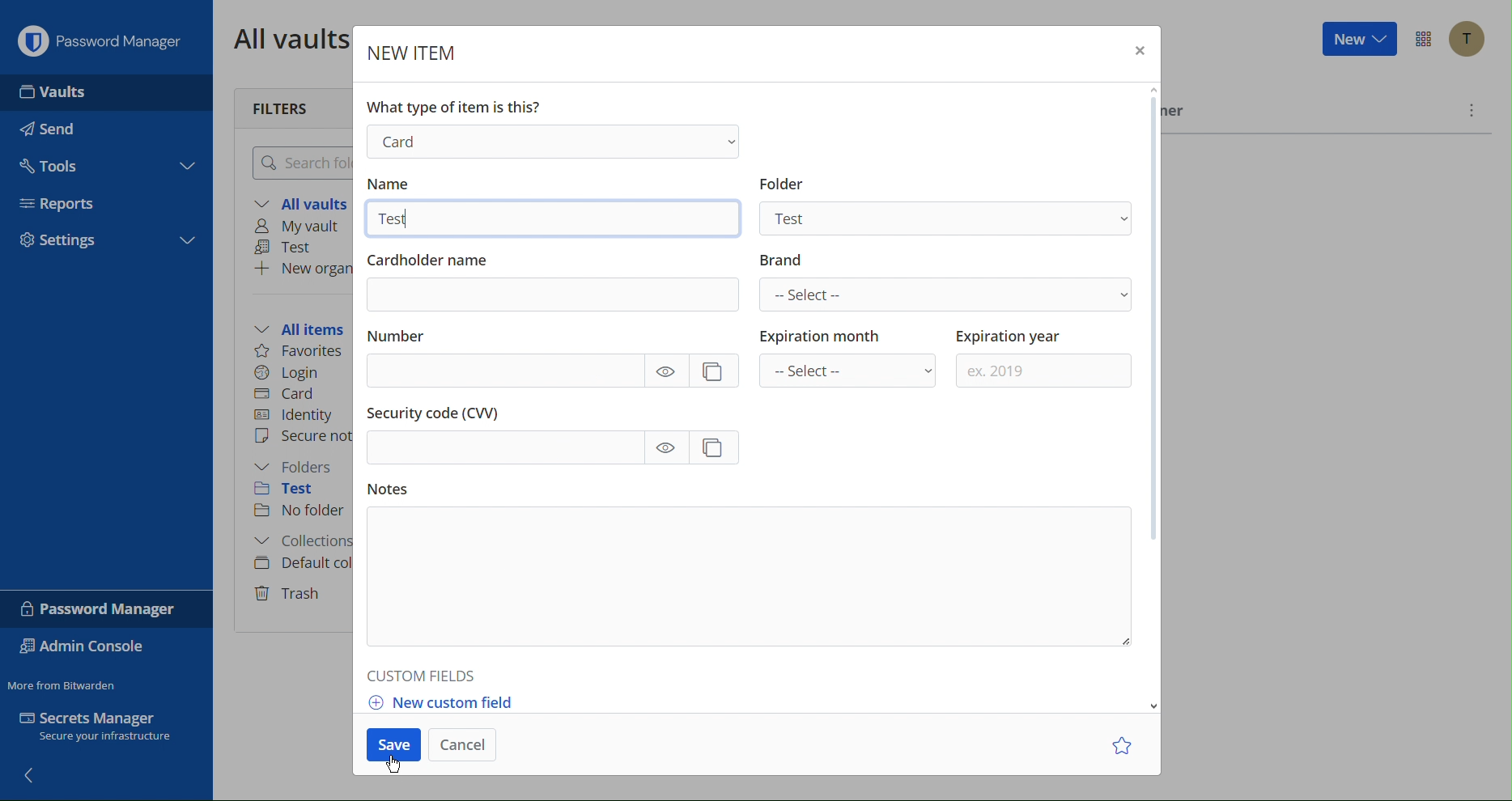 Image resolution: width=1512 pixels, height=801 pixels. Describe the element at coordinates (946, 222) in the screenshot. I see `Test` at that location.